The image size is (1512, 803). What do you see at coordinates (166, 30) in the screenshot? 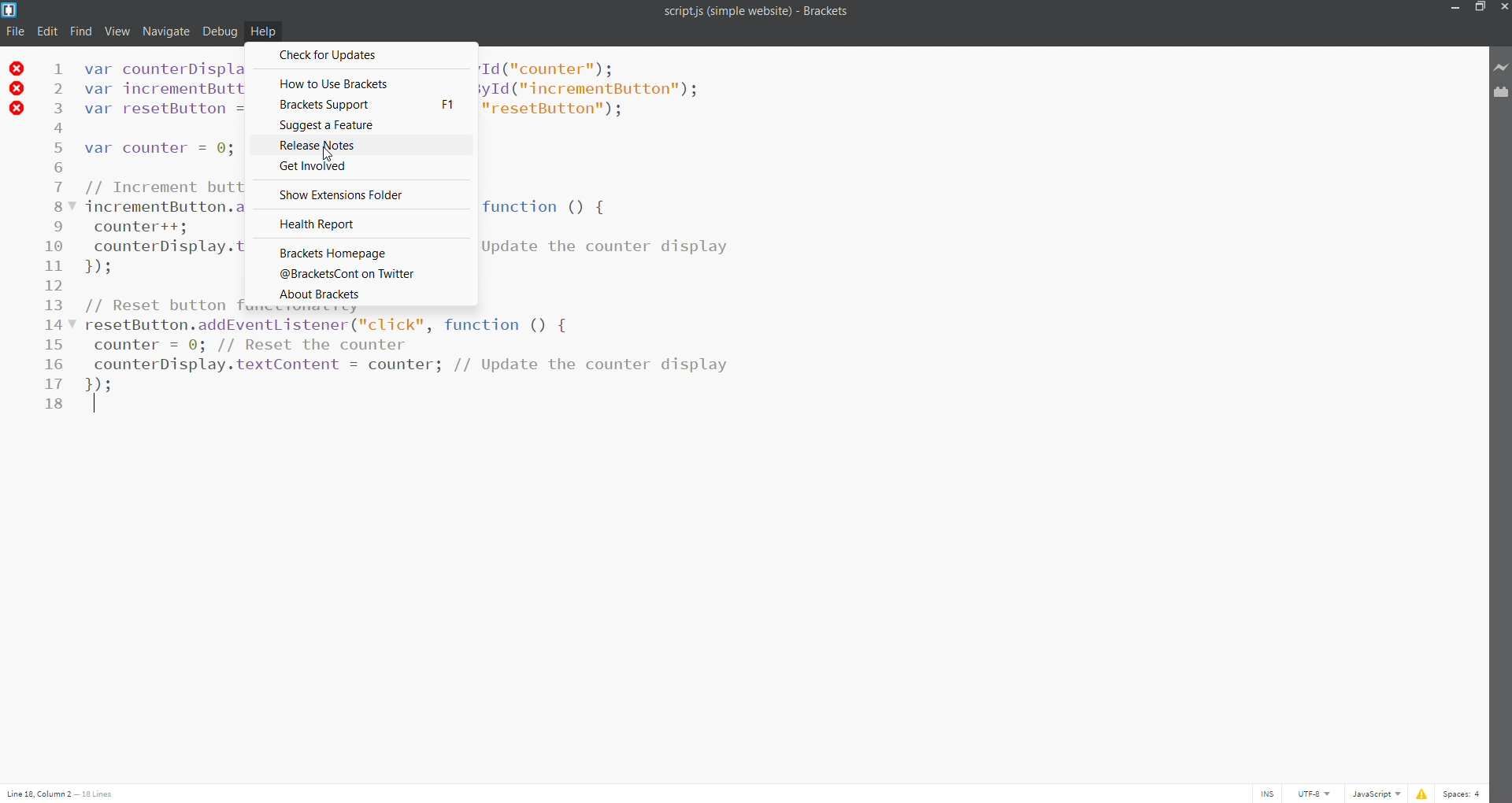
I see `navigate` at bounding box center [166, 30].